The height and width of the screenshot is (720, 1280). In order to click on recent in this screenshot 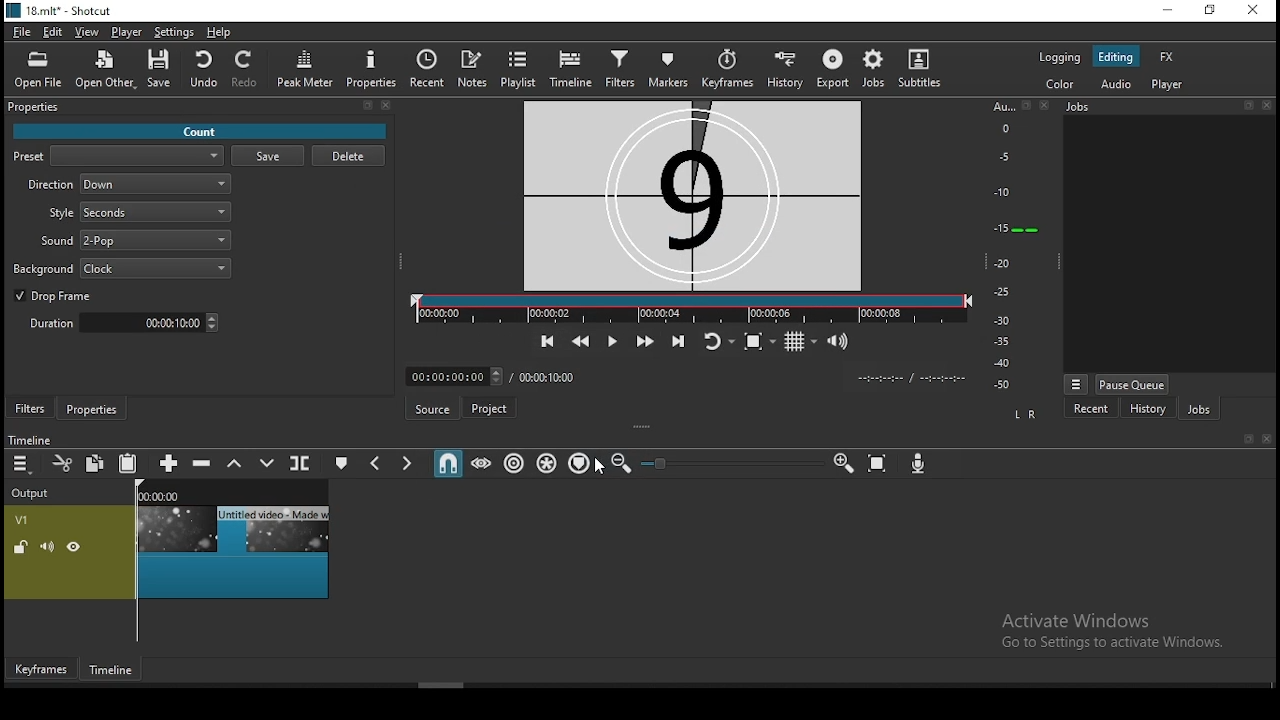, I will do `click(1092, 411)`.